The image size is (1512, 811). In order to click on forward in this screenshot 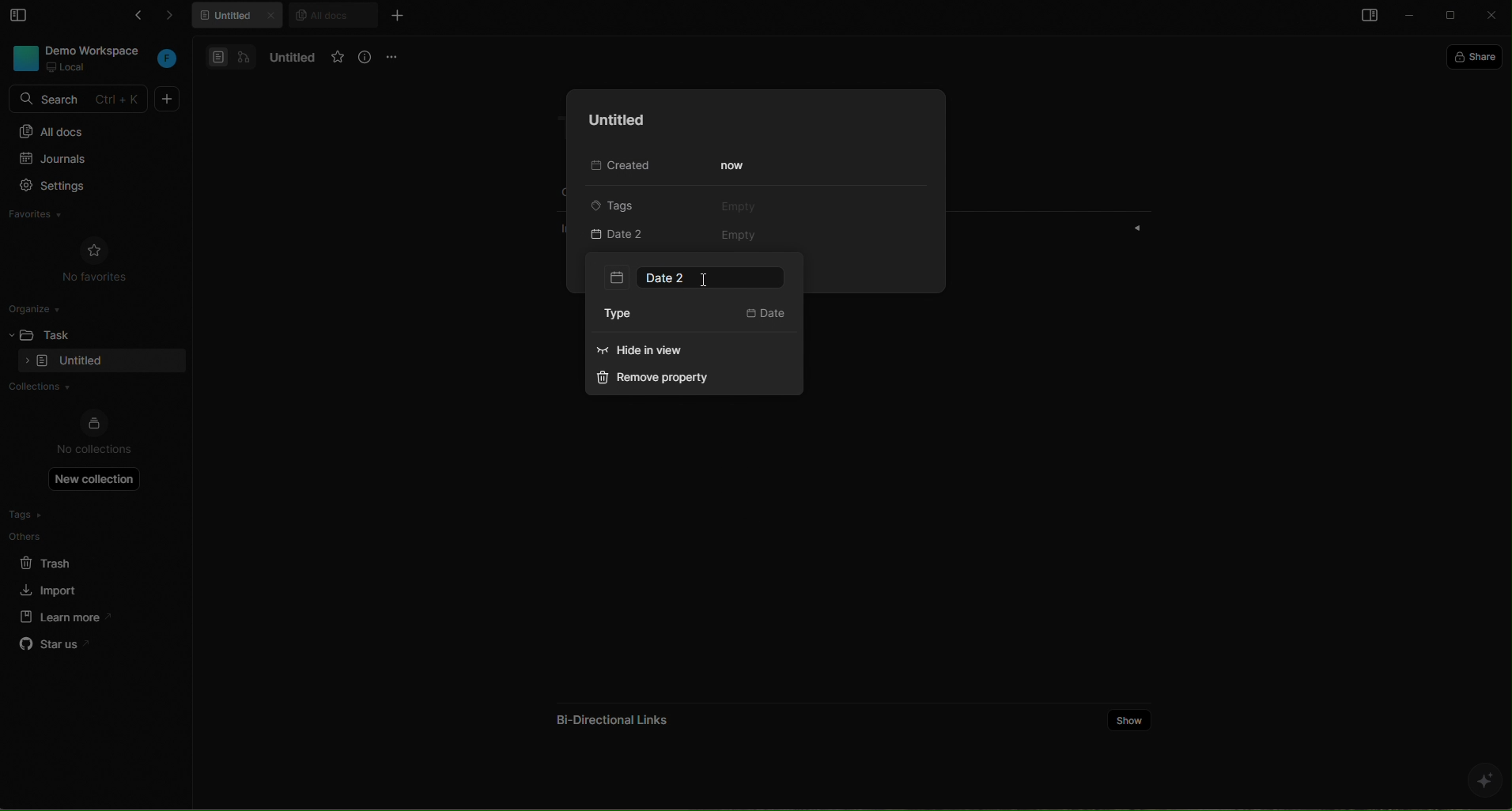, I will do `click(177, 18)`.